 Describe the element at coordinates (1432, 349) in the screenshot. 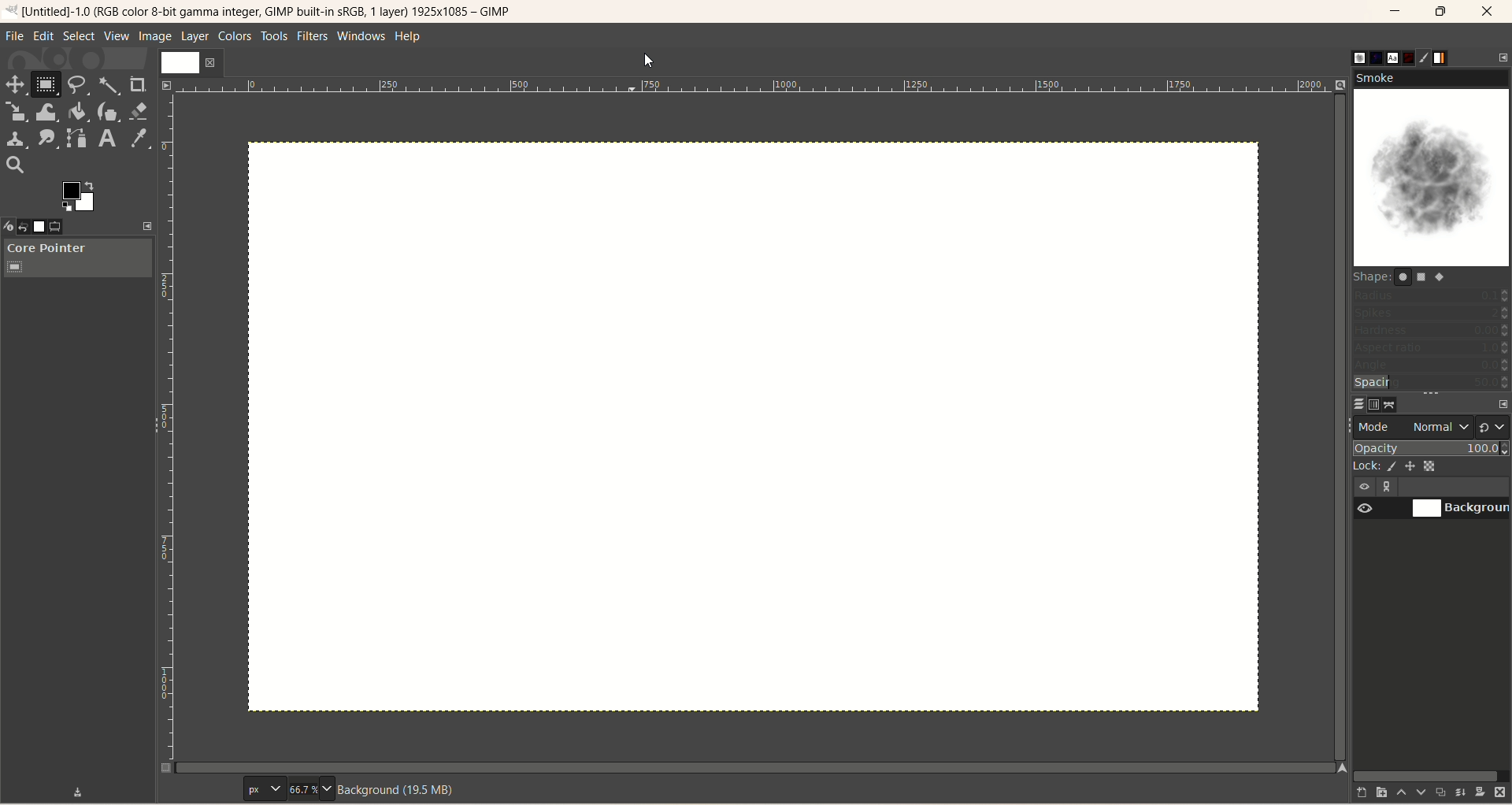

I see `aspect ratio` at that location.